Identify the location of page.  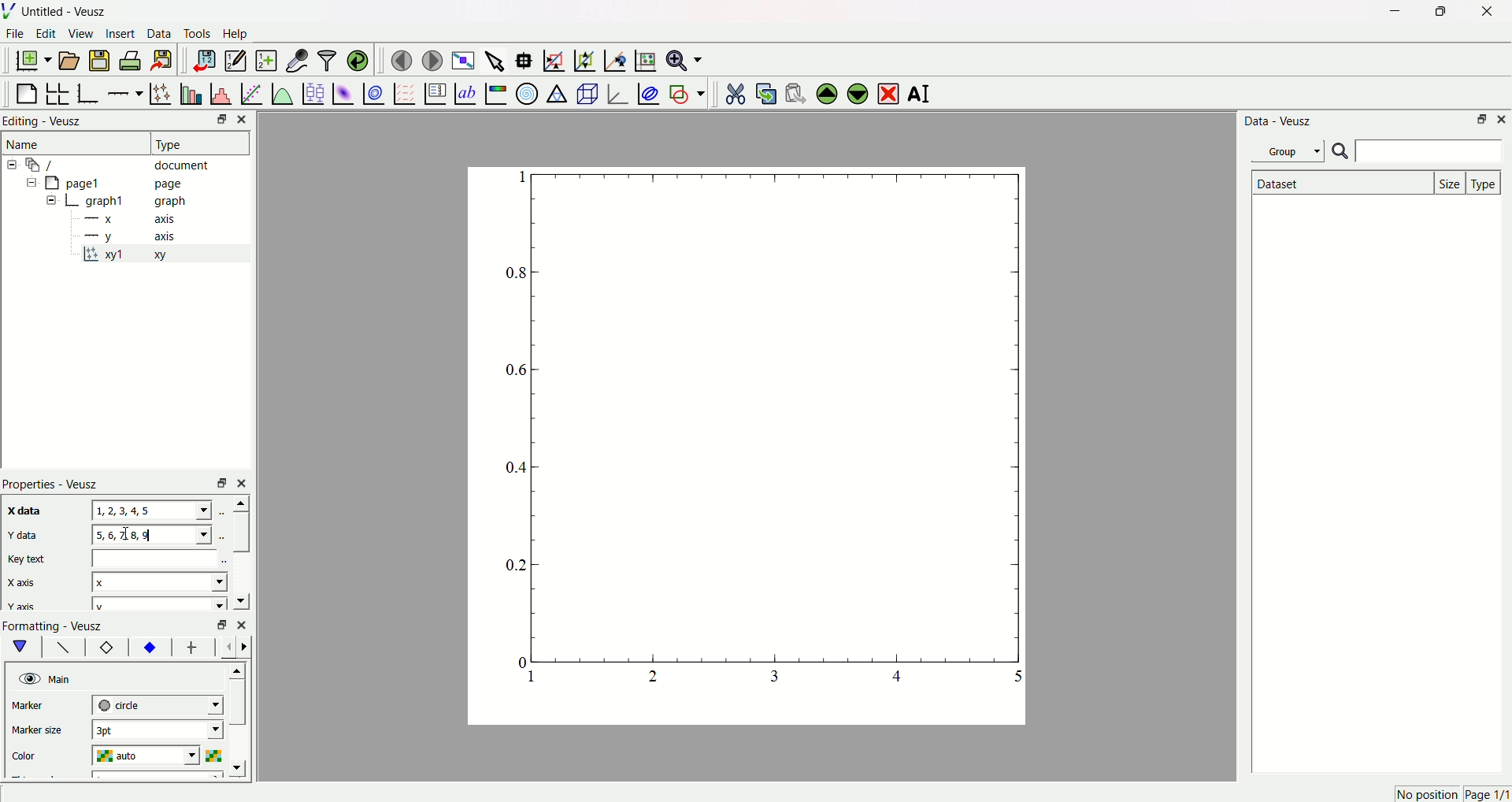
(736, 450).